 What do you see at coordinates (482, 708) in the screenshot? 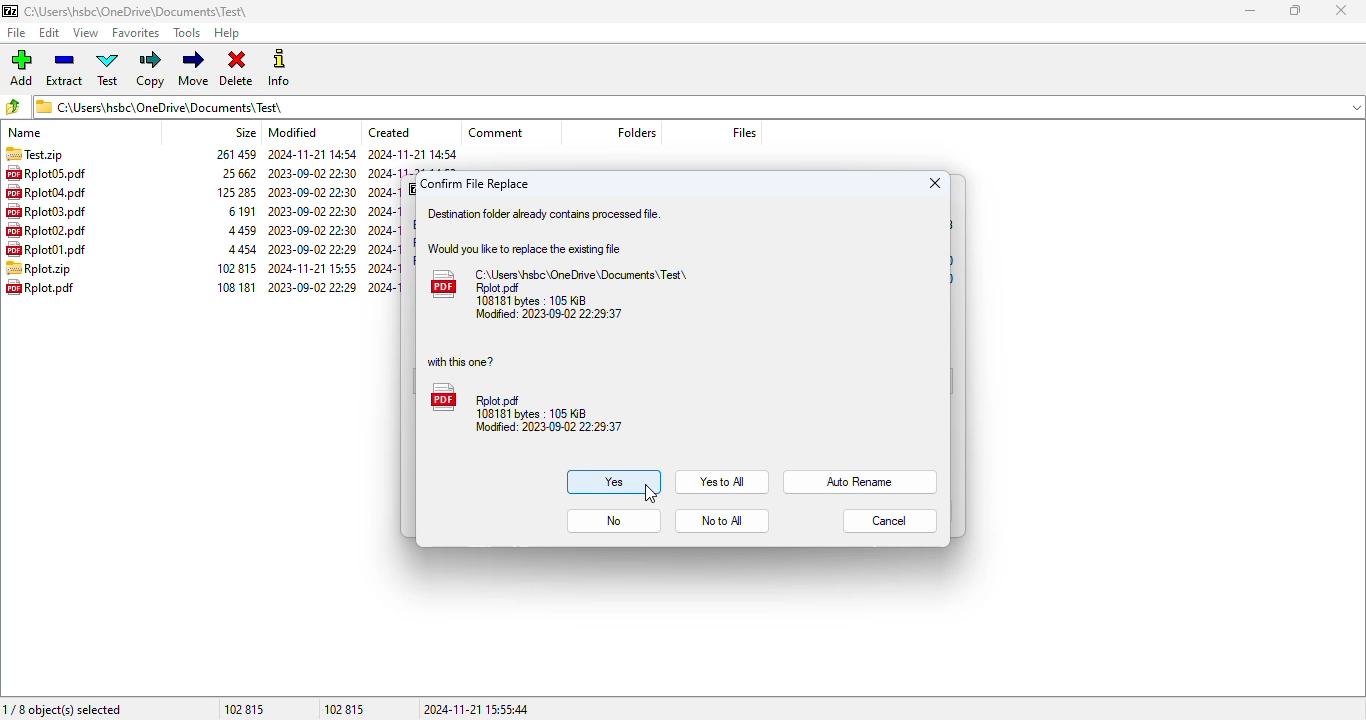
I see `2024-11-21 15:55:44` at bounding box center [482, 708].